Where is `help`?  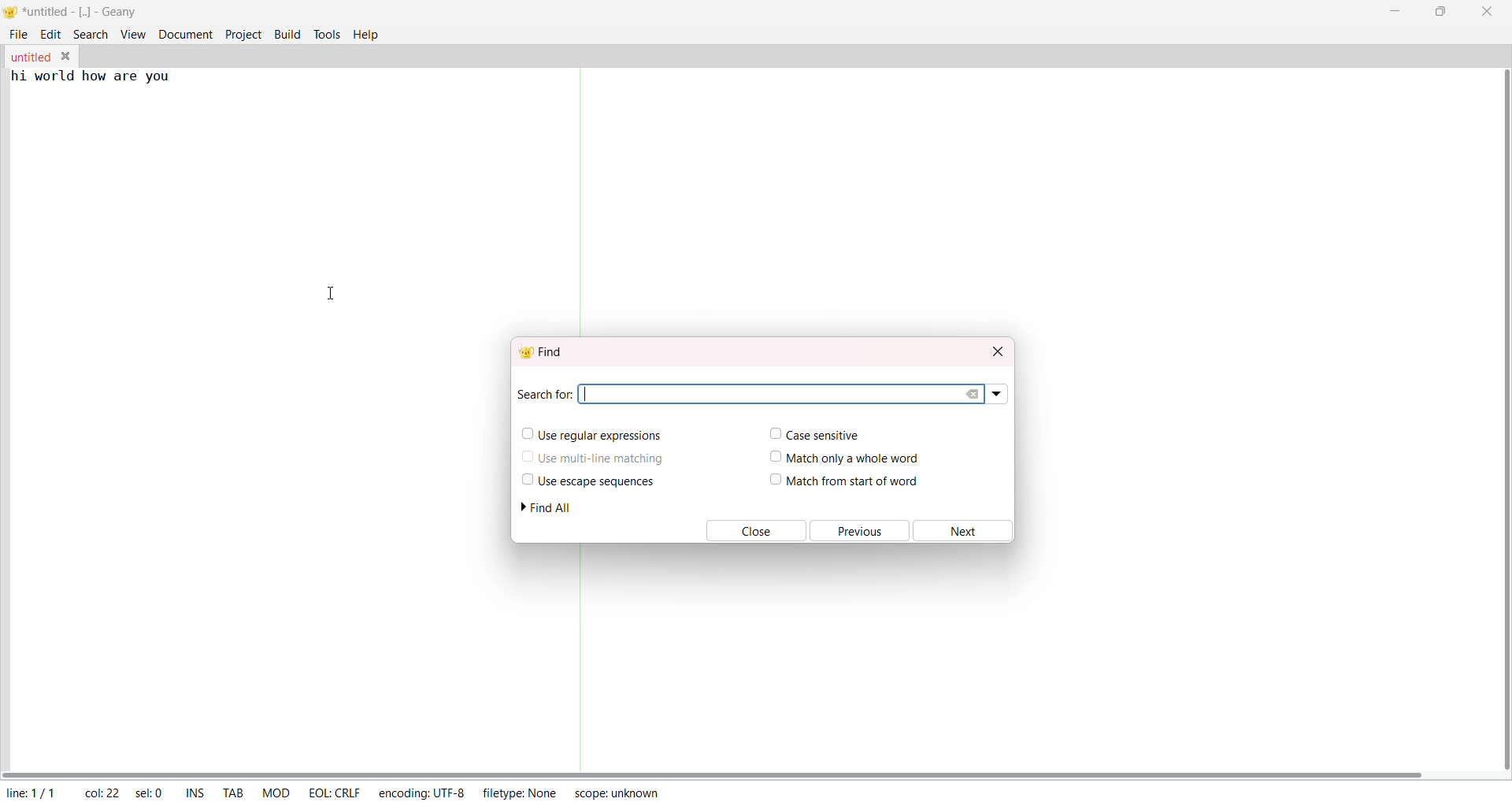
help is located at coordinates (366, 35).